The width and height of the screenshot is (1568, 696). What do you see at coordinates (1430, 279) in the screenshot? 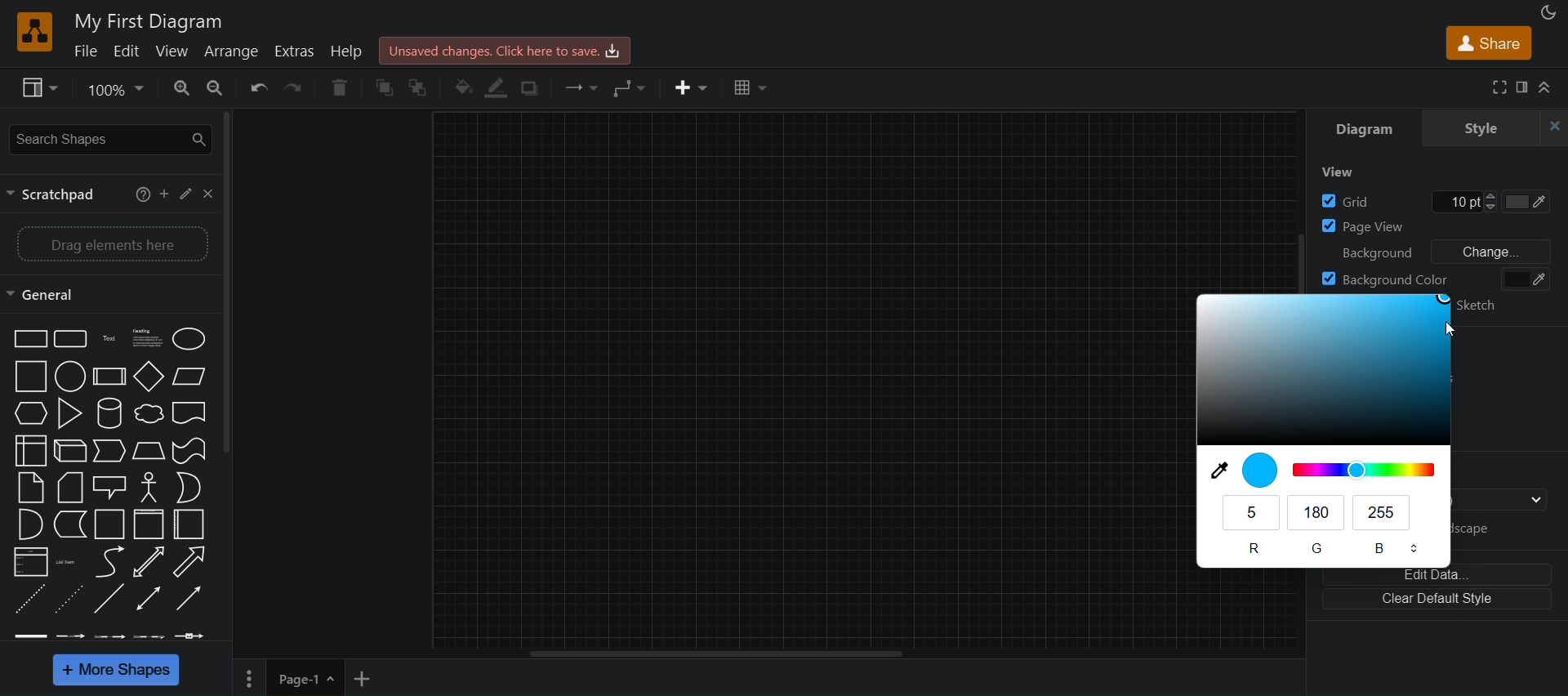
I see `background` at bounding box center [1430, 279].